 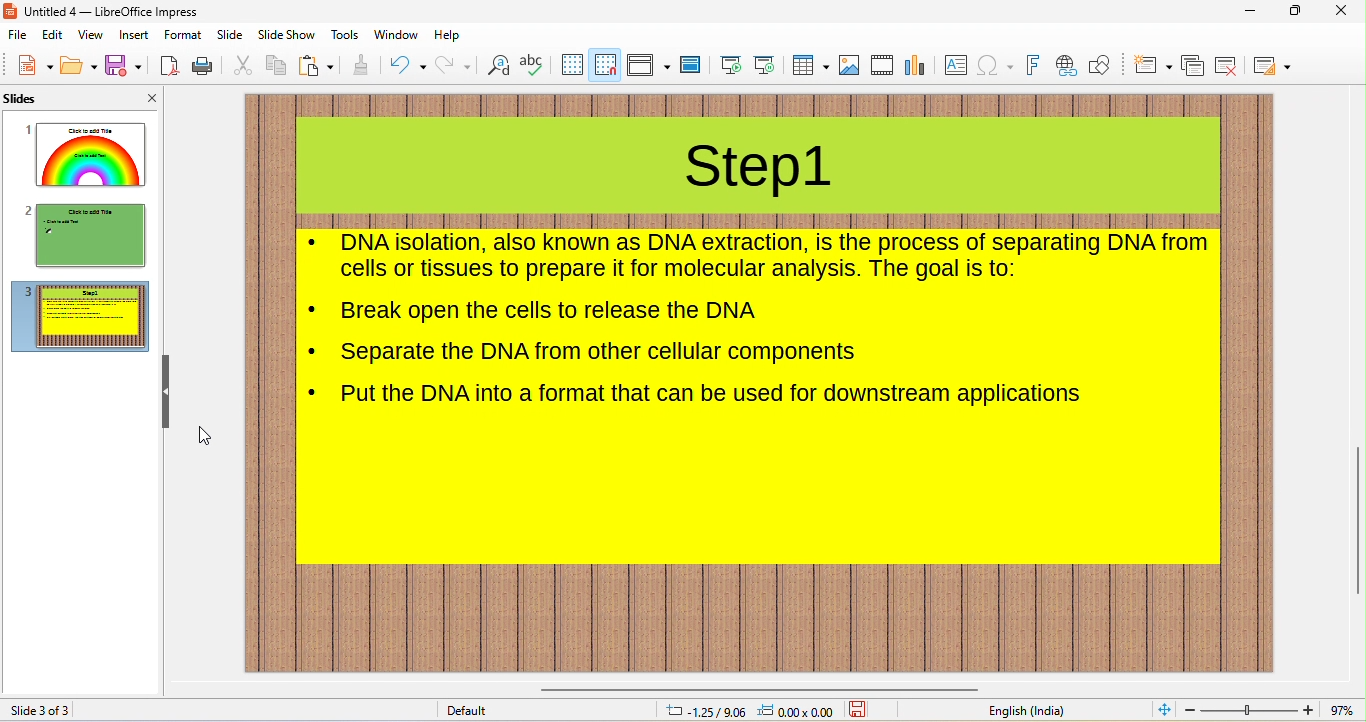 I want to click on display grid, so click(x=570, y=65).